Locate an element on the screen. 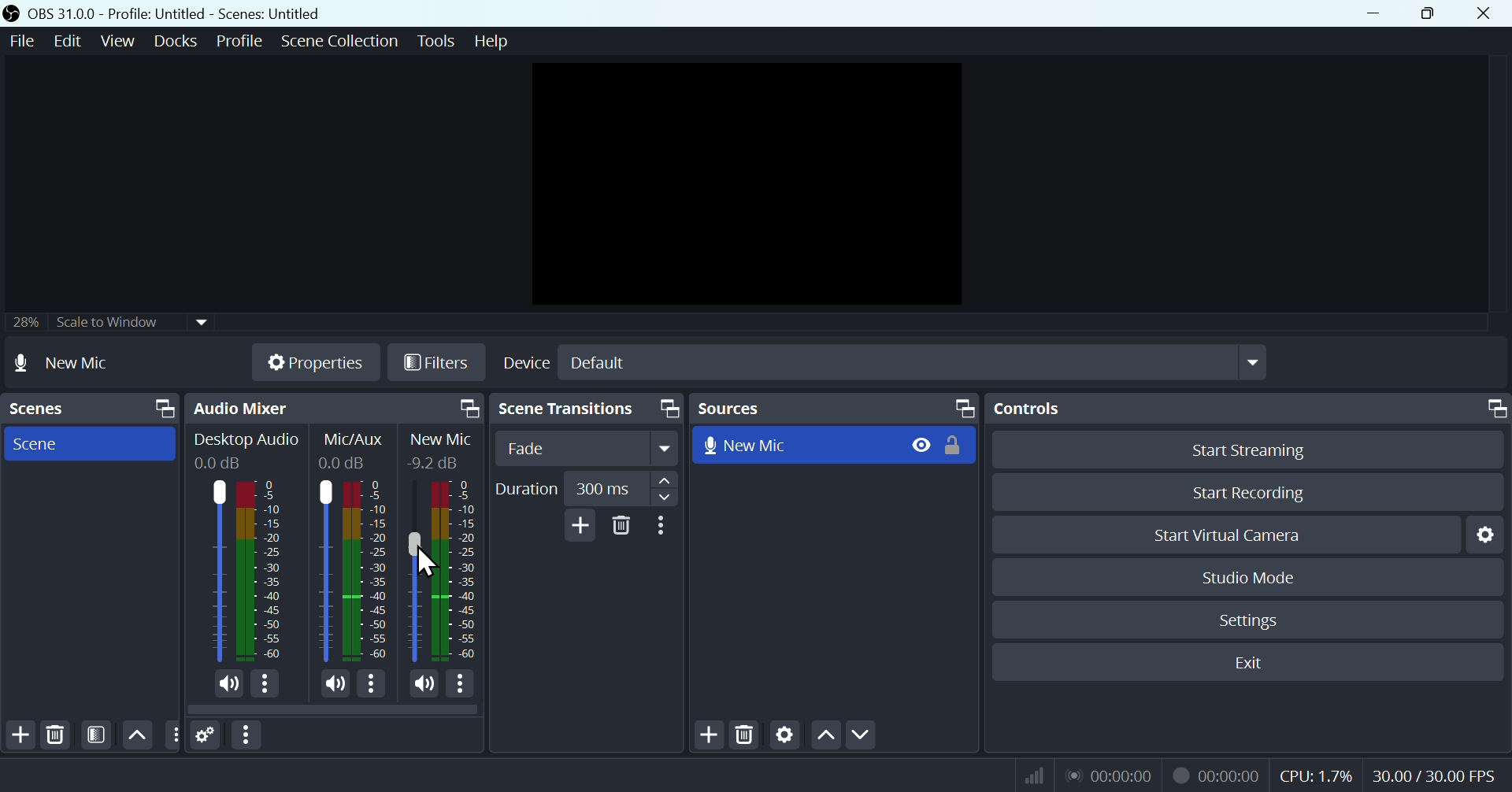  Add is located at coordinates (19, 735).